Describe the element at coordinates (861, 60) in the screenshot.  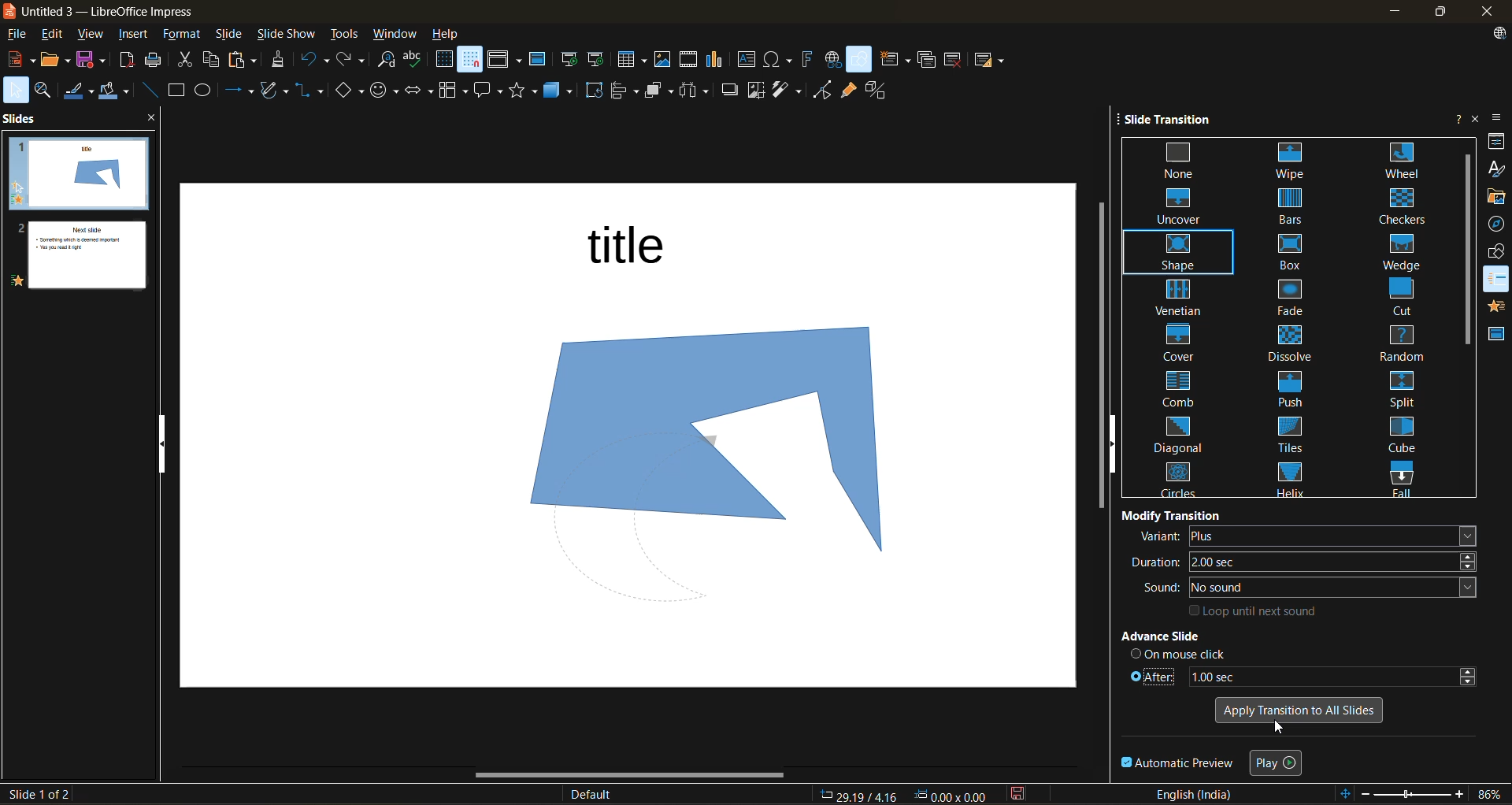
I see `show draw functions` at that location.